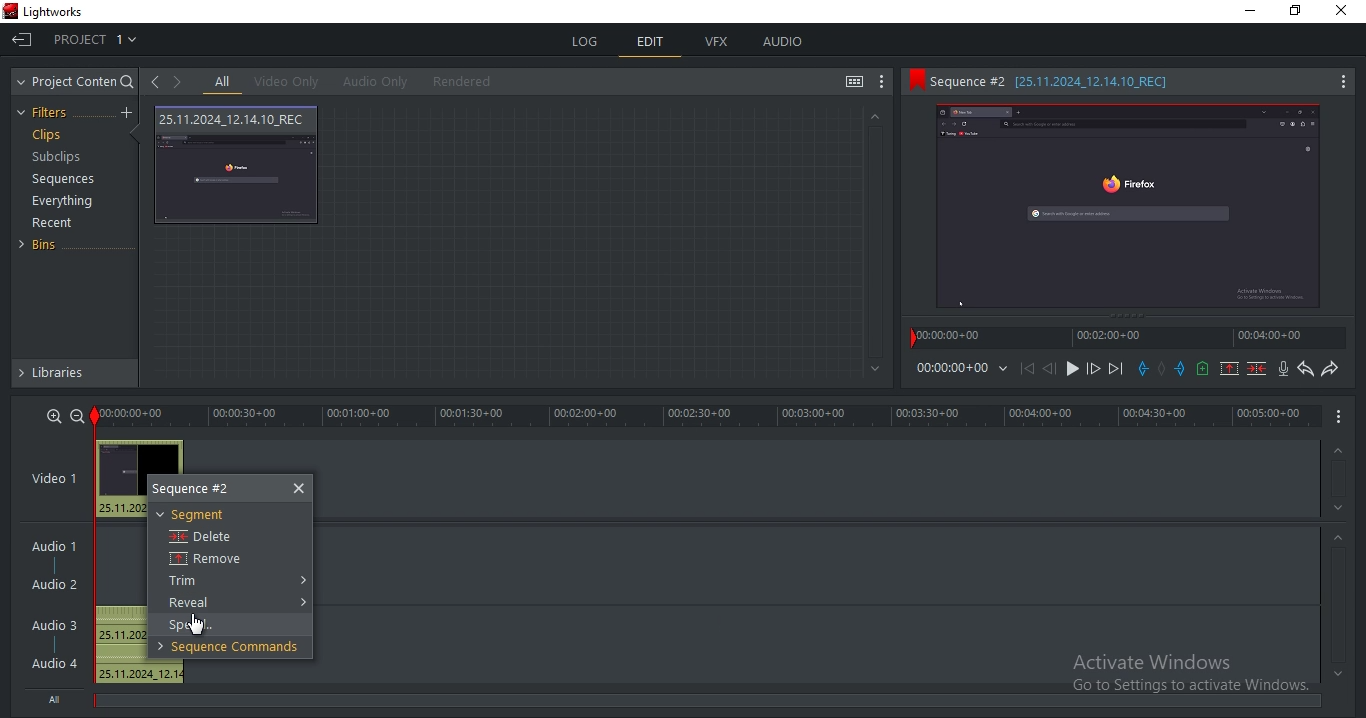 The height and width of the screenshot is (718, 1366). I want to click on clips, so click(50, 136).